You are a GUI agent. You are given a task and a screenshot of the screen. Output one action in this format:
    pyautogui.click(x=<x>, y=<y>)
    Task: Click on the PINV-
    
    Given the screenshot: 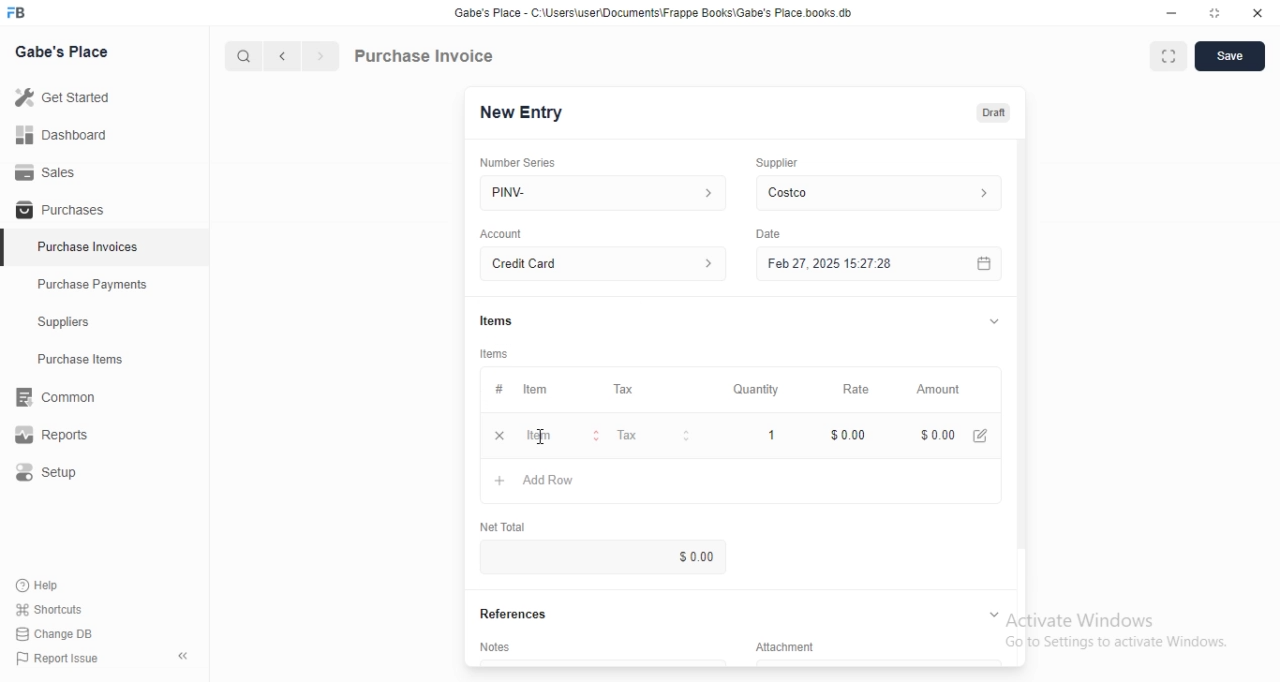 What is the action you would take?
    pyautogui.click(x=603, y=193)
    